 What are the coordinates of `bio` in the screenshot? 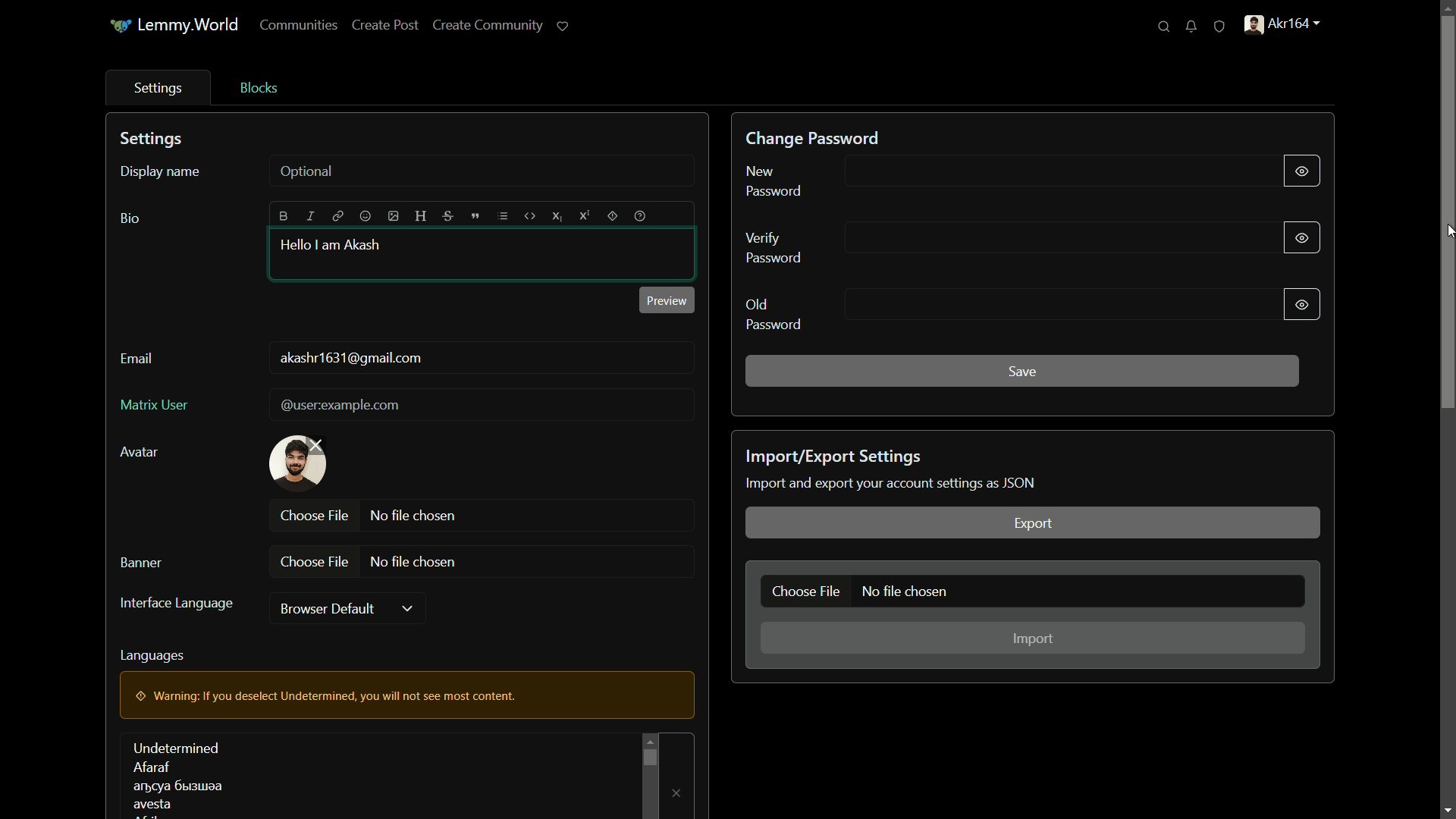 It's located at (130, 219).